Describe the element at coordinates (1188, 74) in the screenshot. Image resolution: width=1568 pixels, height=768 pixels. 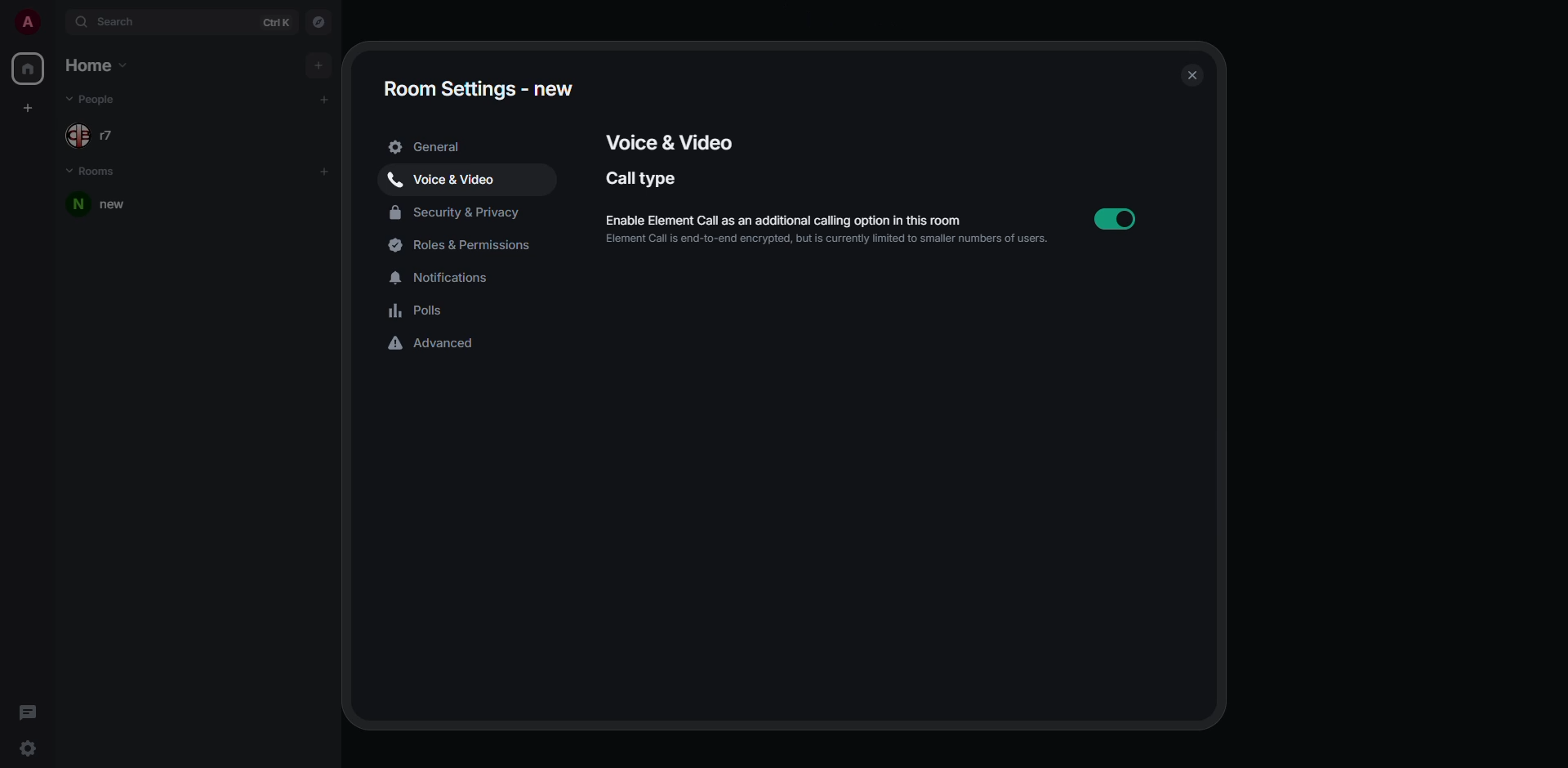
I see `close` at that location.